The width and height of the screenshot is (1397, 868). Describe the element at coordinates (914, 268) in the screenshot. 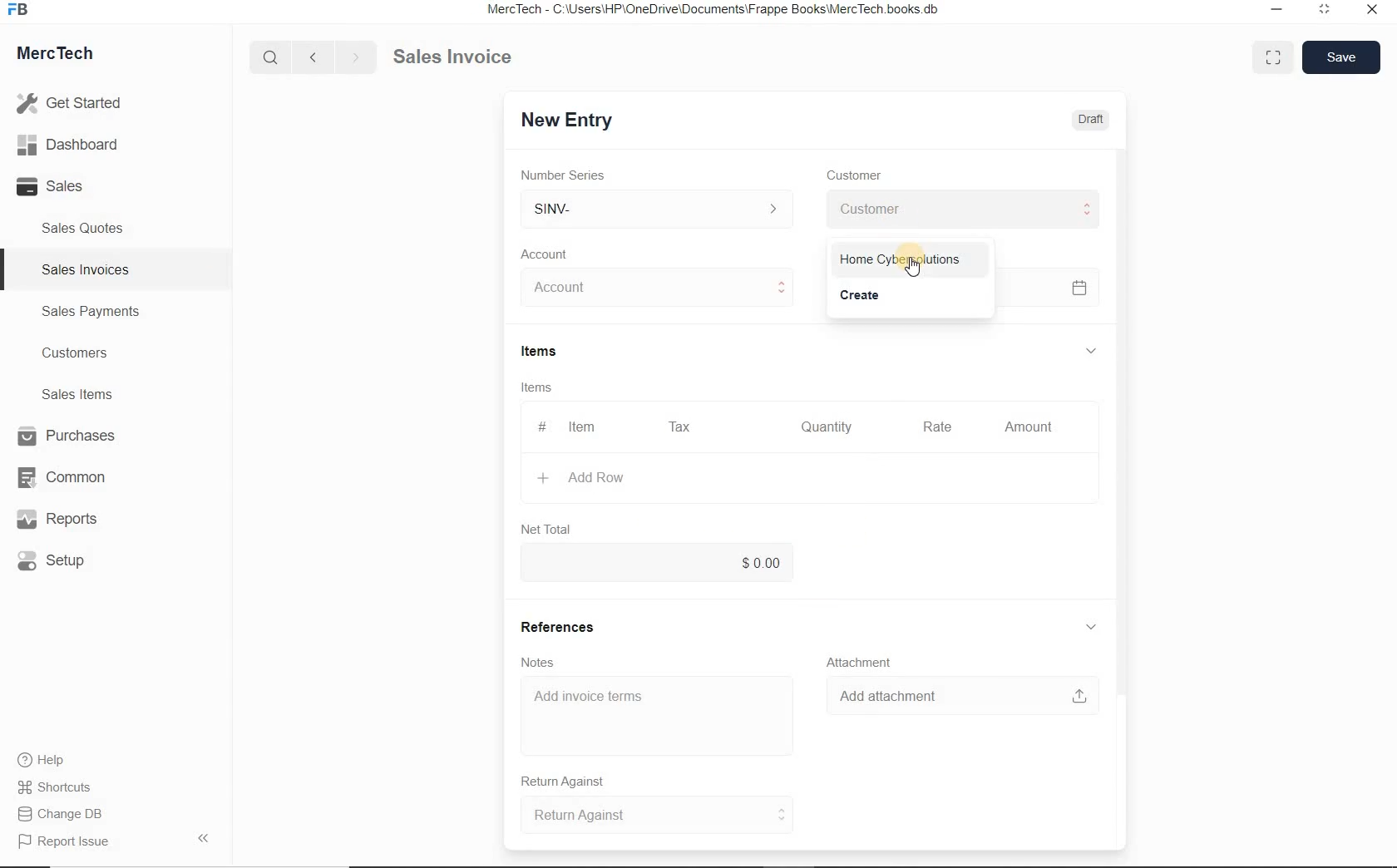

I see `cursor` at that location.